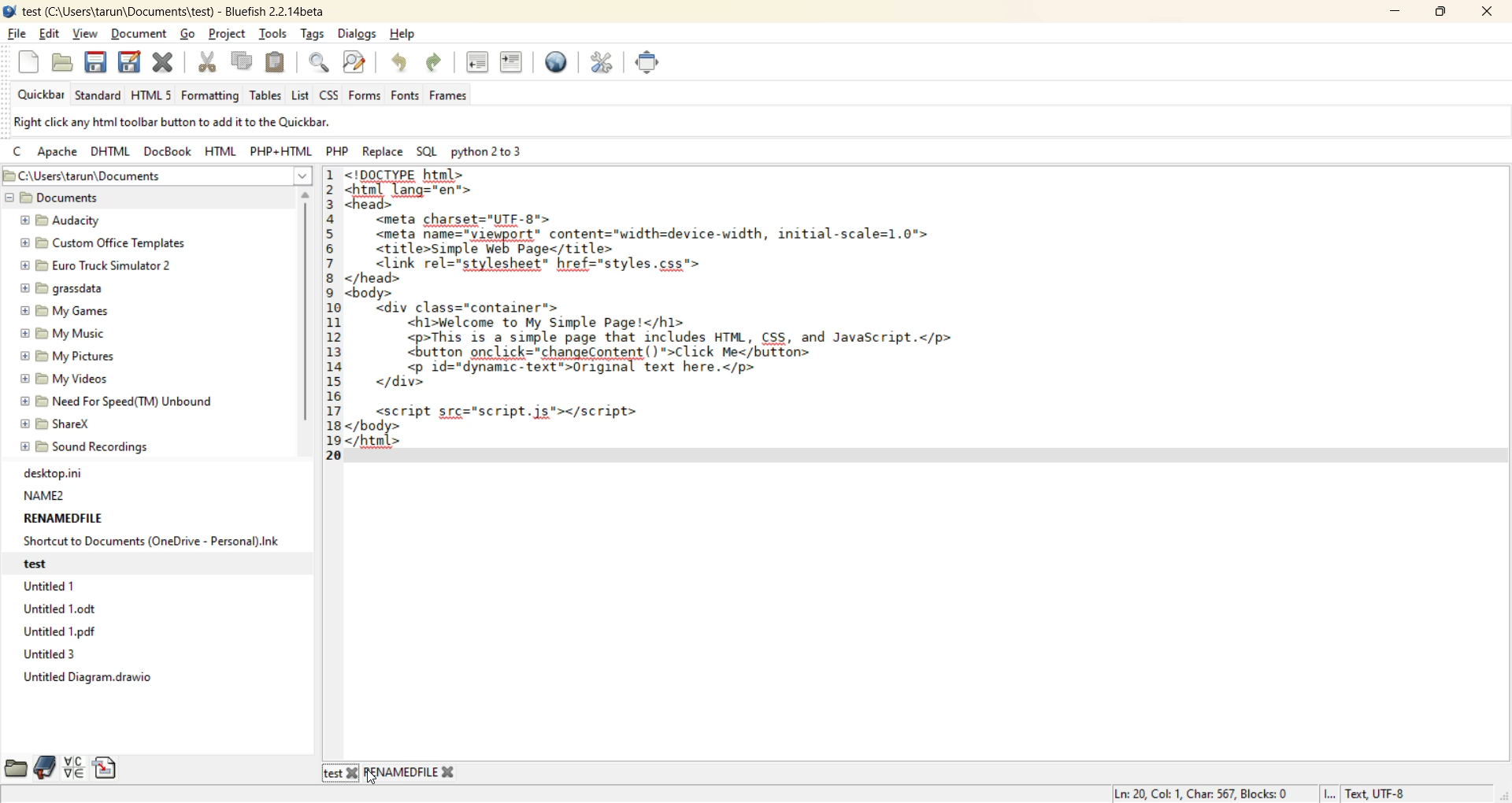 Image resolution: width=1512 pixels, height=803 pixels. What do you see at coordinates (239, 63) in the screenshot?
I see `copy` at bounding box center [239, 63].